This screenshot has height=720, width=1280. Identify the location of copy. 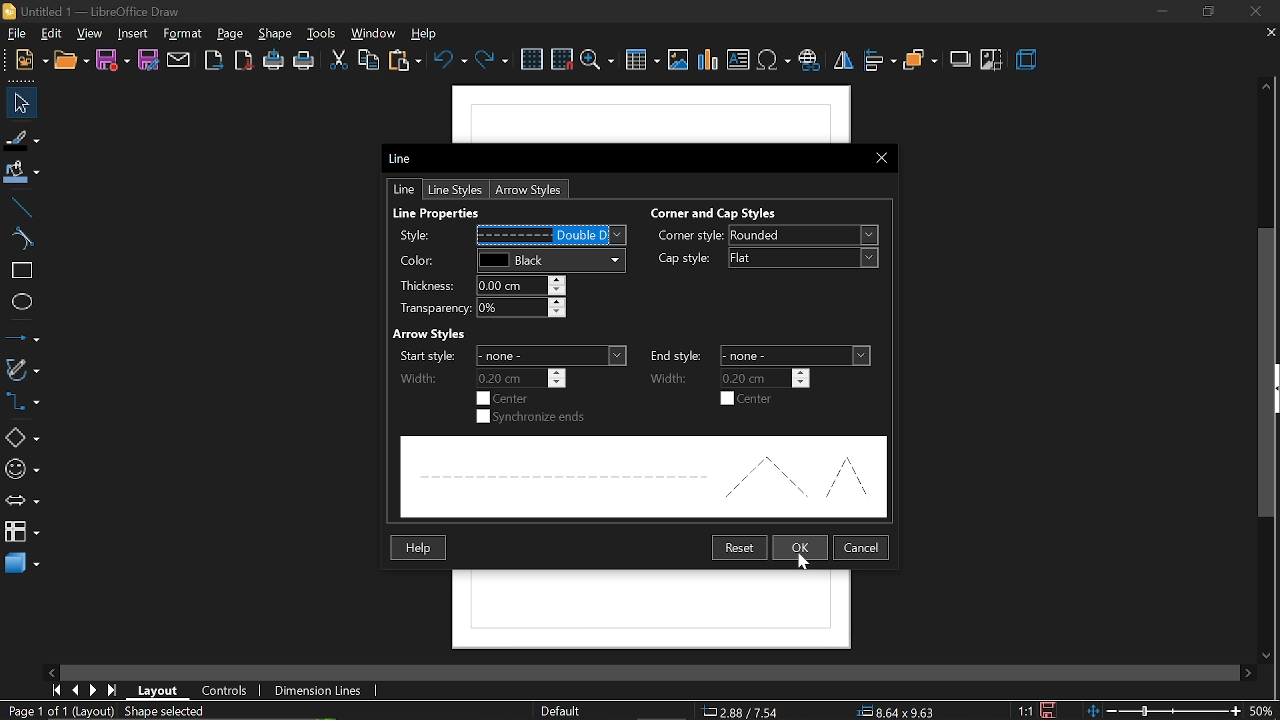
(370, 60).